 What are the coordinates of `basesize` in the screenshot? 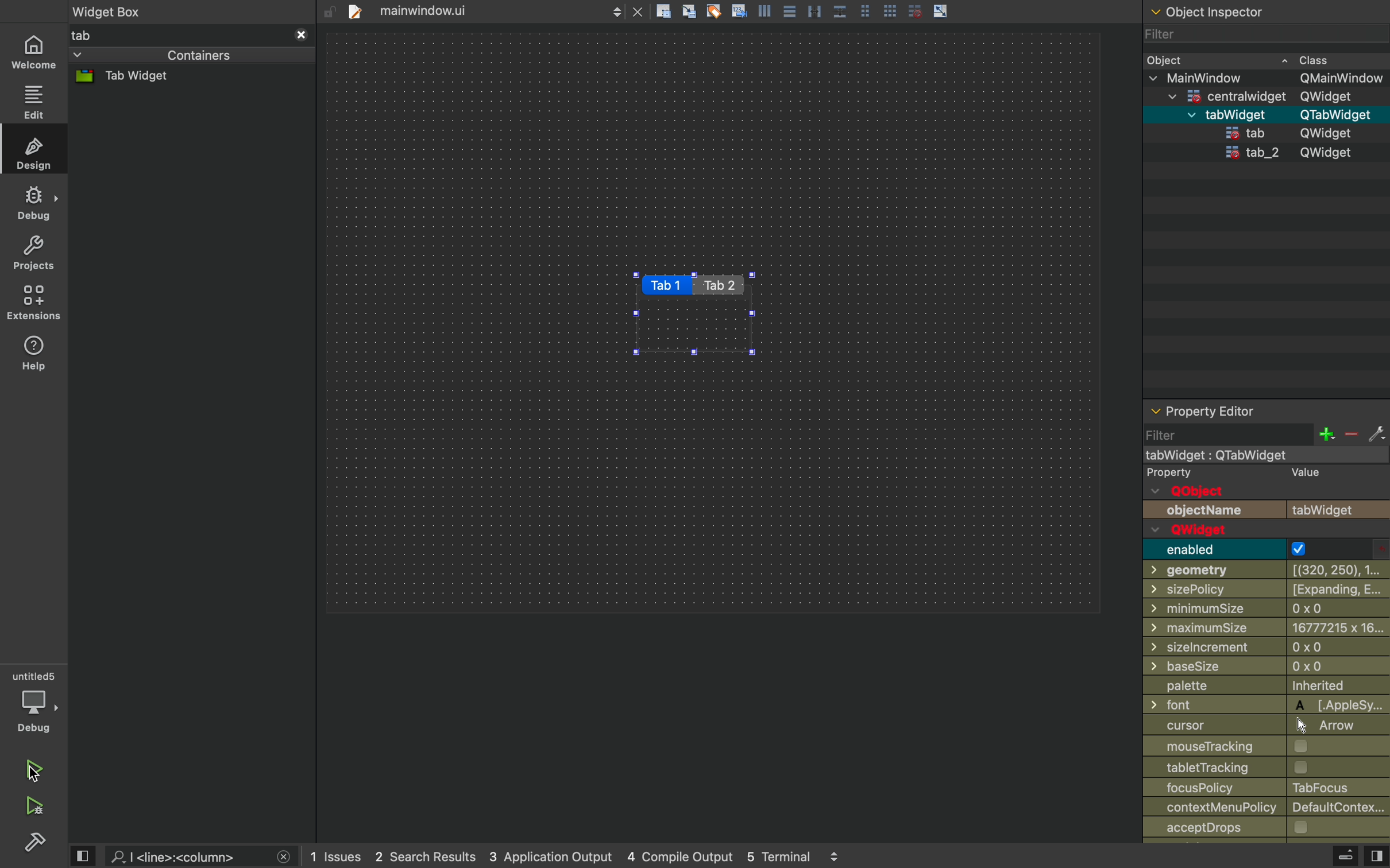 It's located at (1268, 669).